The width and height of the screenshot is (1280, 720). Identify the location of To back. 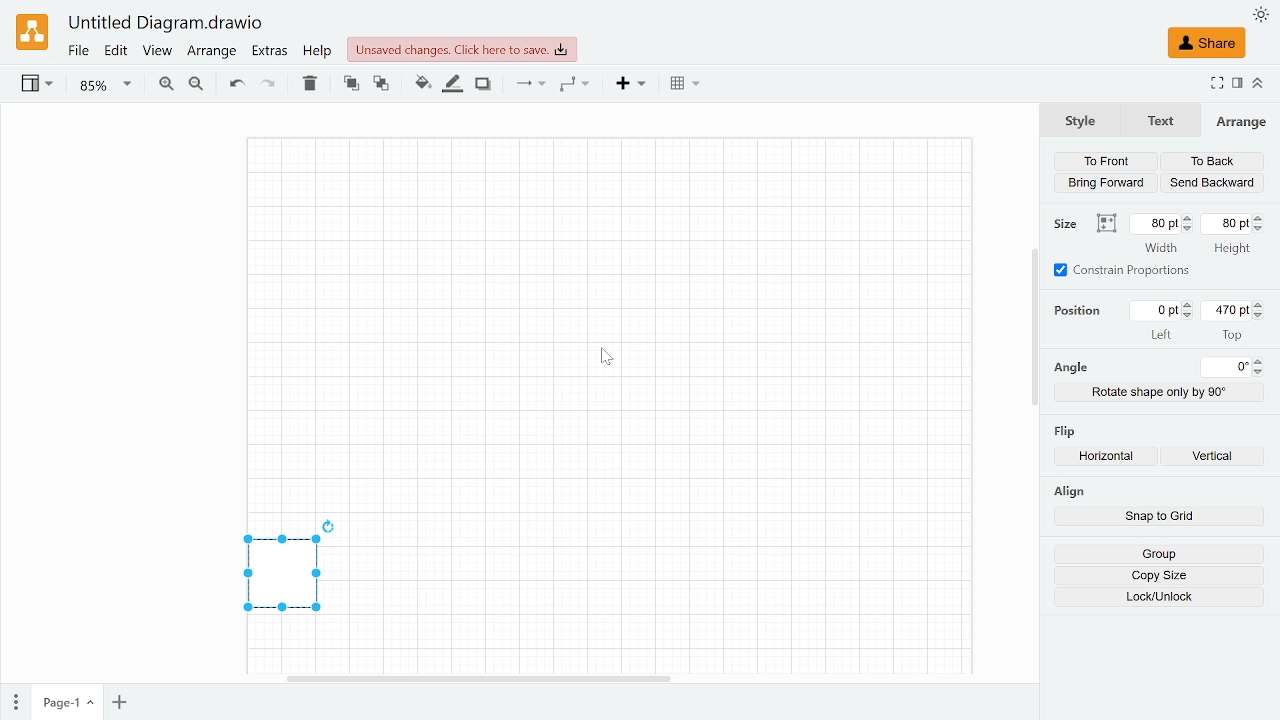
(1212, 162).